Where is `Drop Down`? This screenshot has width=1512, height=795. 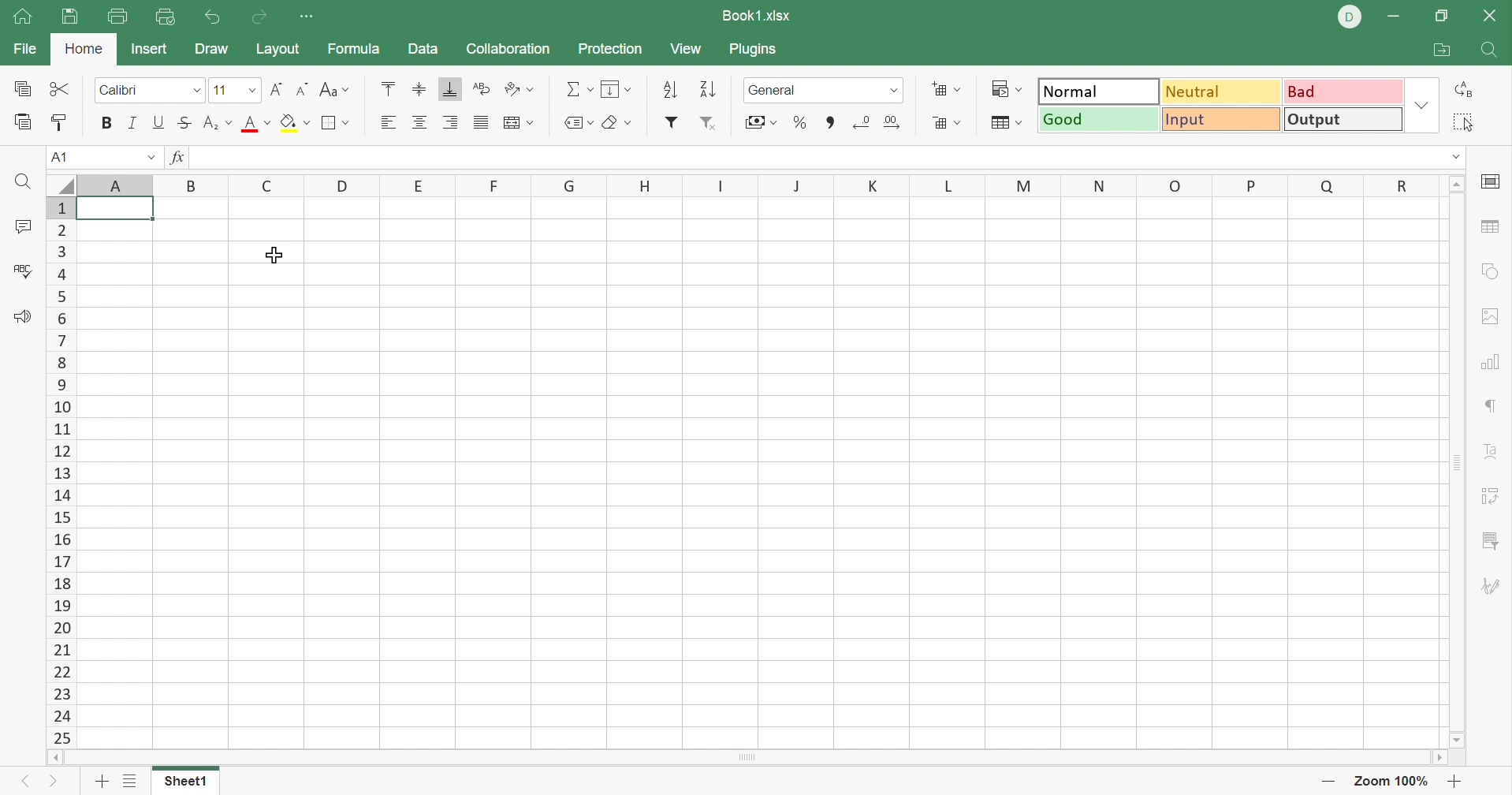
Drop Down is located at coordinates (897, 93).